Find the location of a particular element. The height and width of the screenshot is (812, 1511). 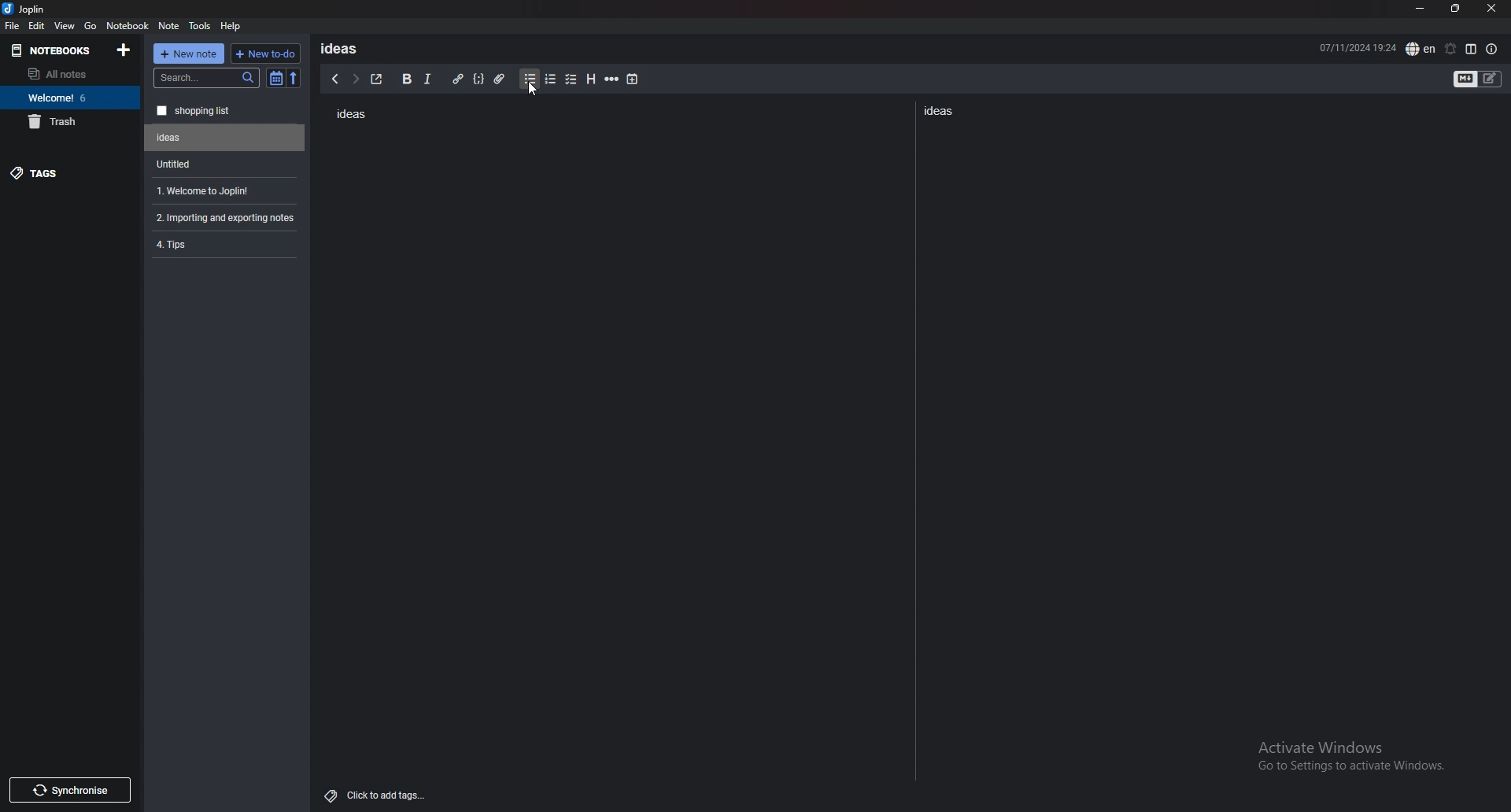

cursor is located at coordinates (536, 93).